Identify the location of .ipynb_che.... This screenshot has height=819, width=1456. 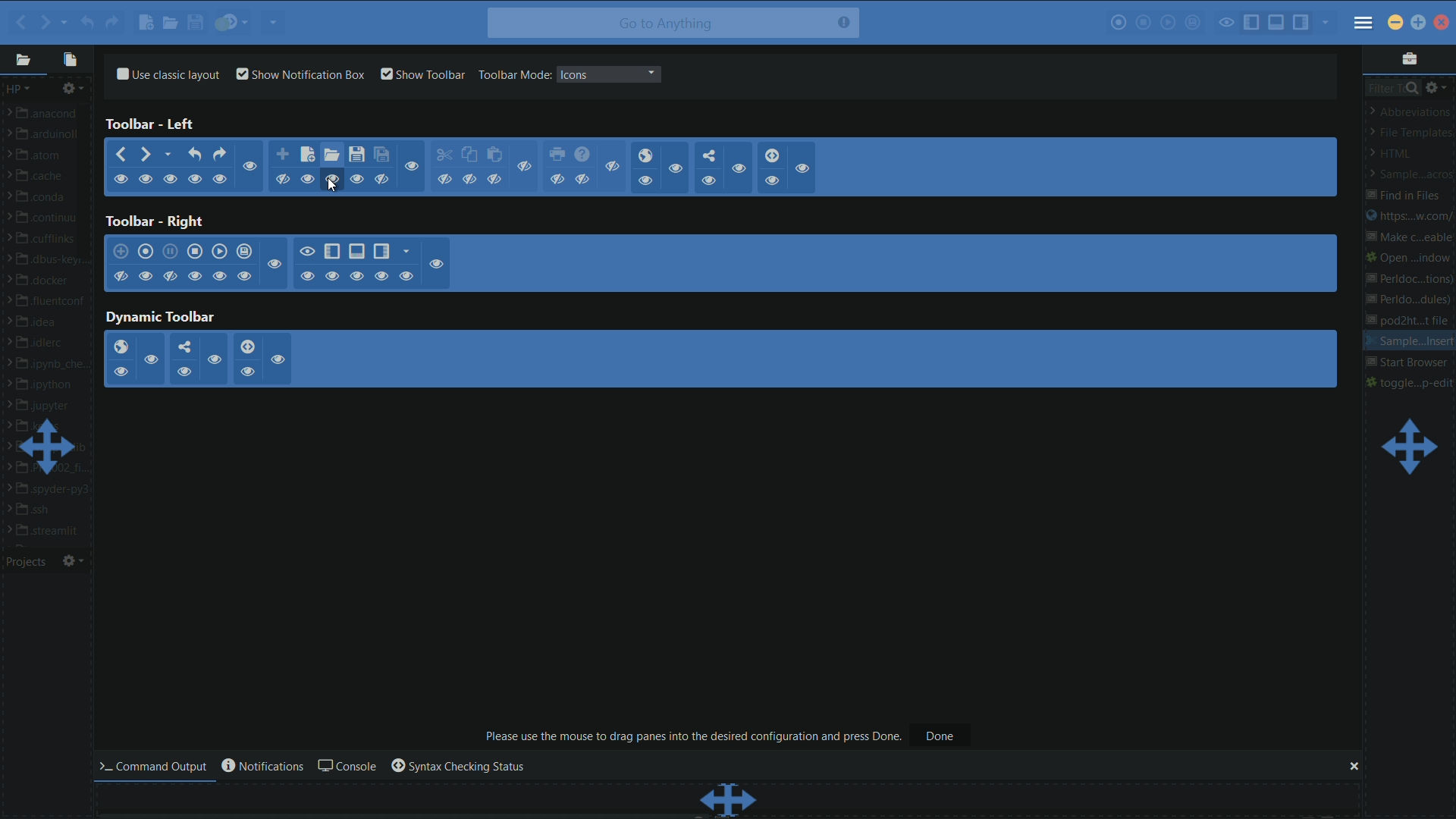
(53, 366).